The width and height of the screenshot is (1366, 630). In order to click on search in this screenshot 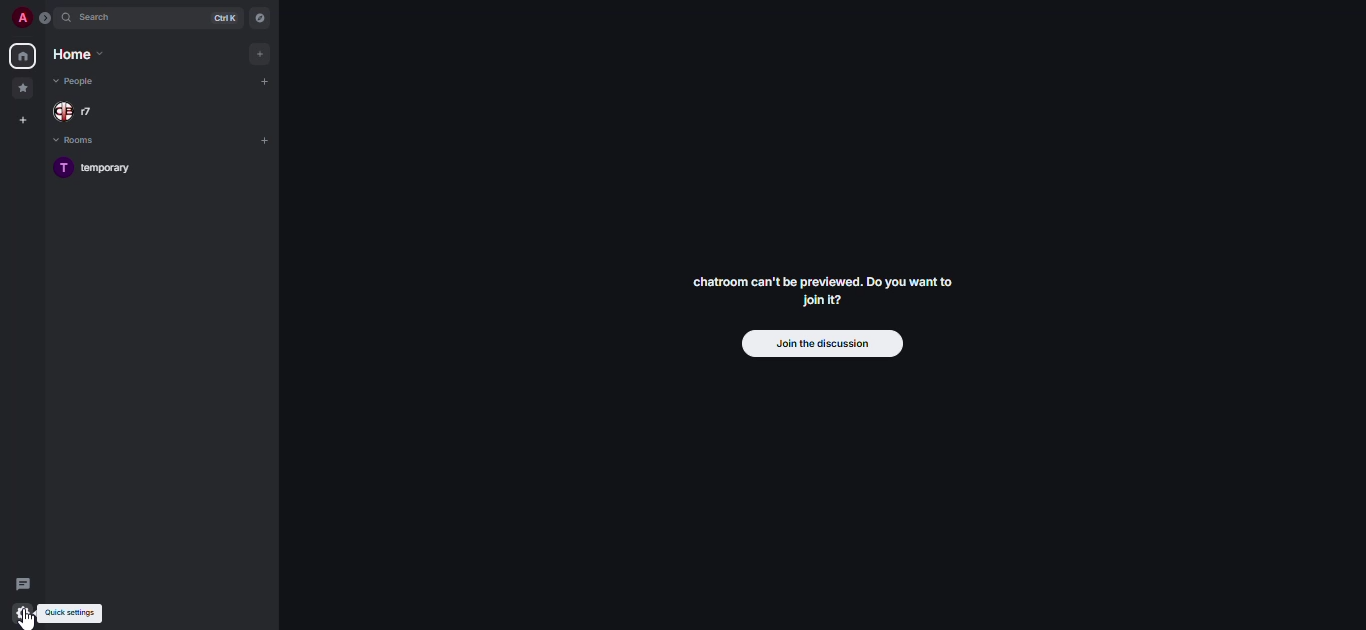, I will do `click(97, 19)`.